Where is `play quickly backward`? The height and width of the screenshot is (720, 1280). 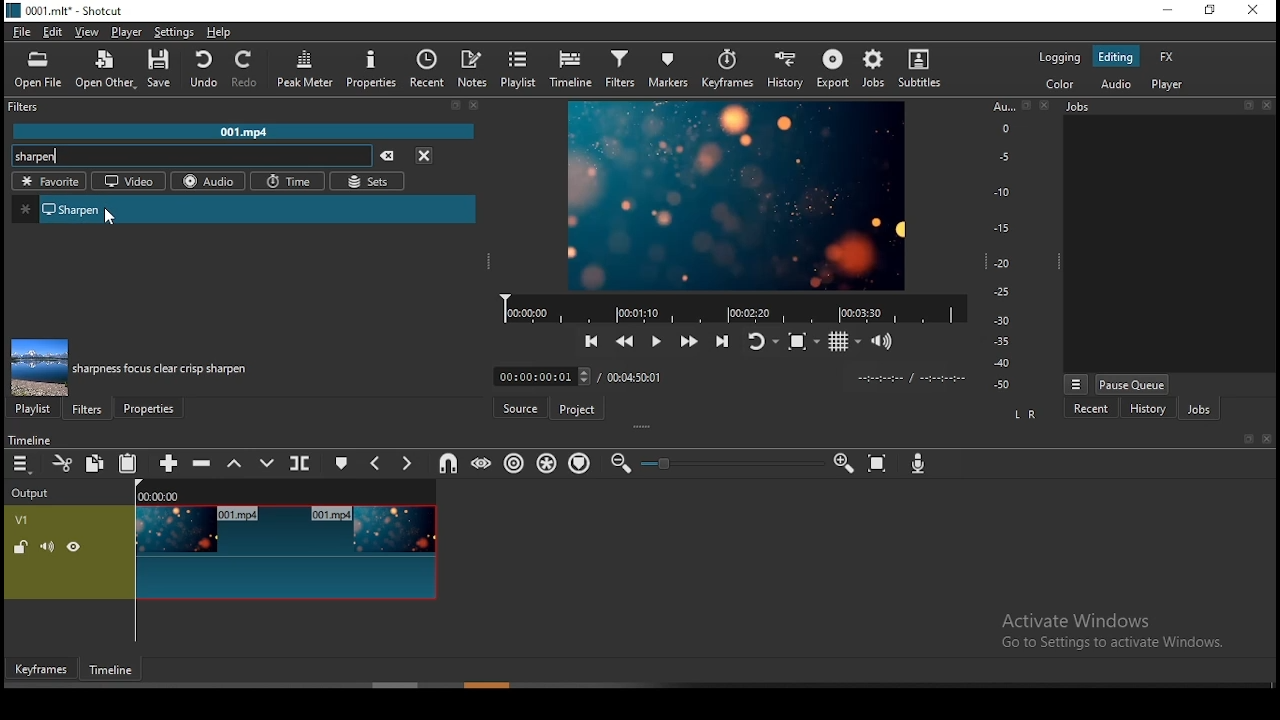
play quickly backward is located at coordinates (627, 339).